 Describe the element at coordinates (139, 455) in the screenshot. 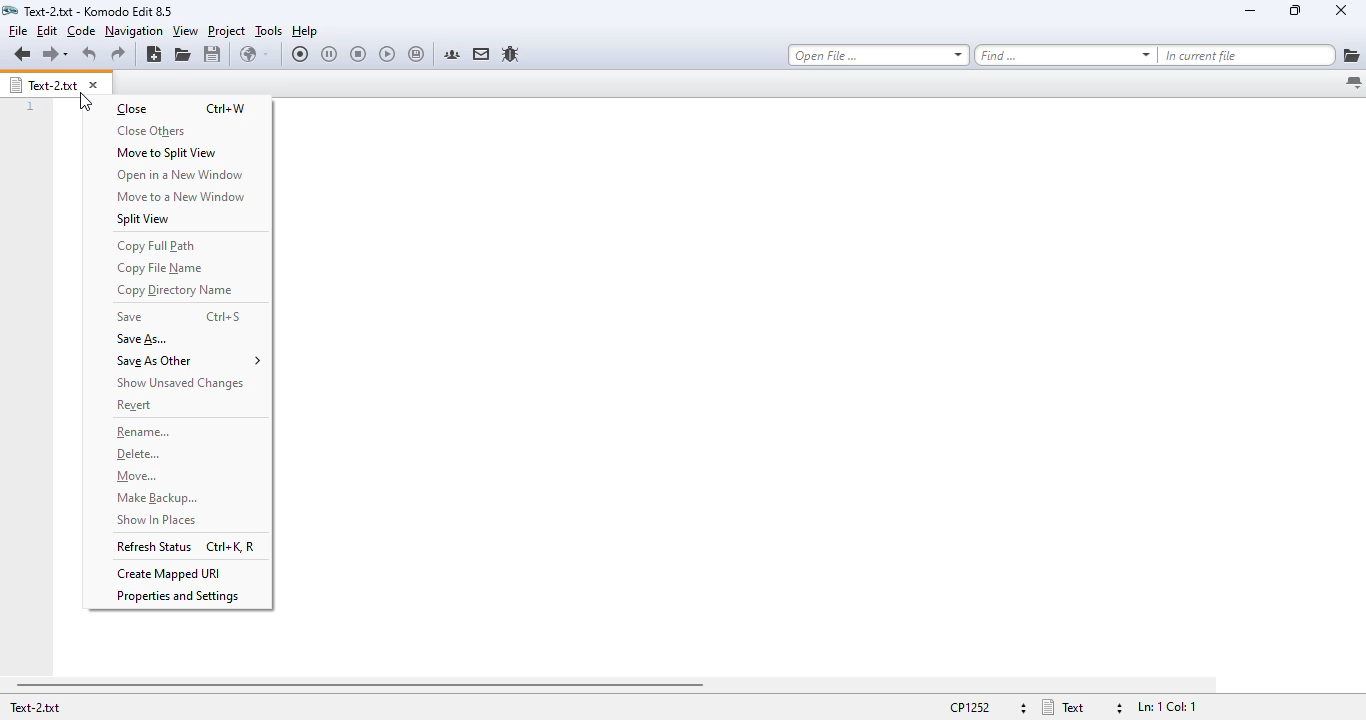

I see `delete` at that location.